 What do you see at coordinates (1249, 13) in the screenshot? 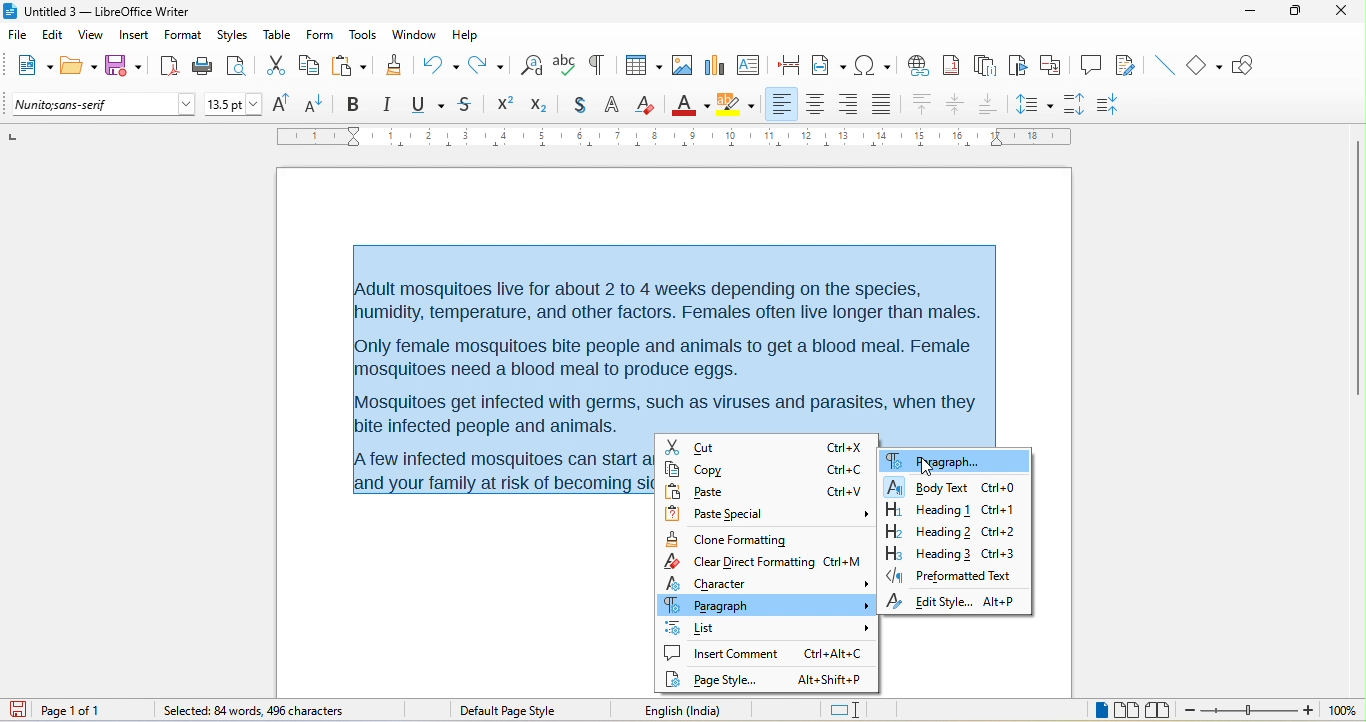
I see `minimize` at bounding box center [1249, 13].